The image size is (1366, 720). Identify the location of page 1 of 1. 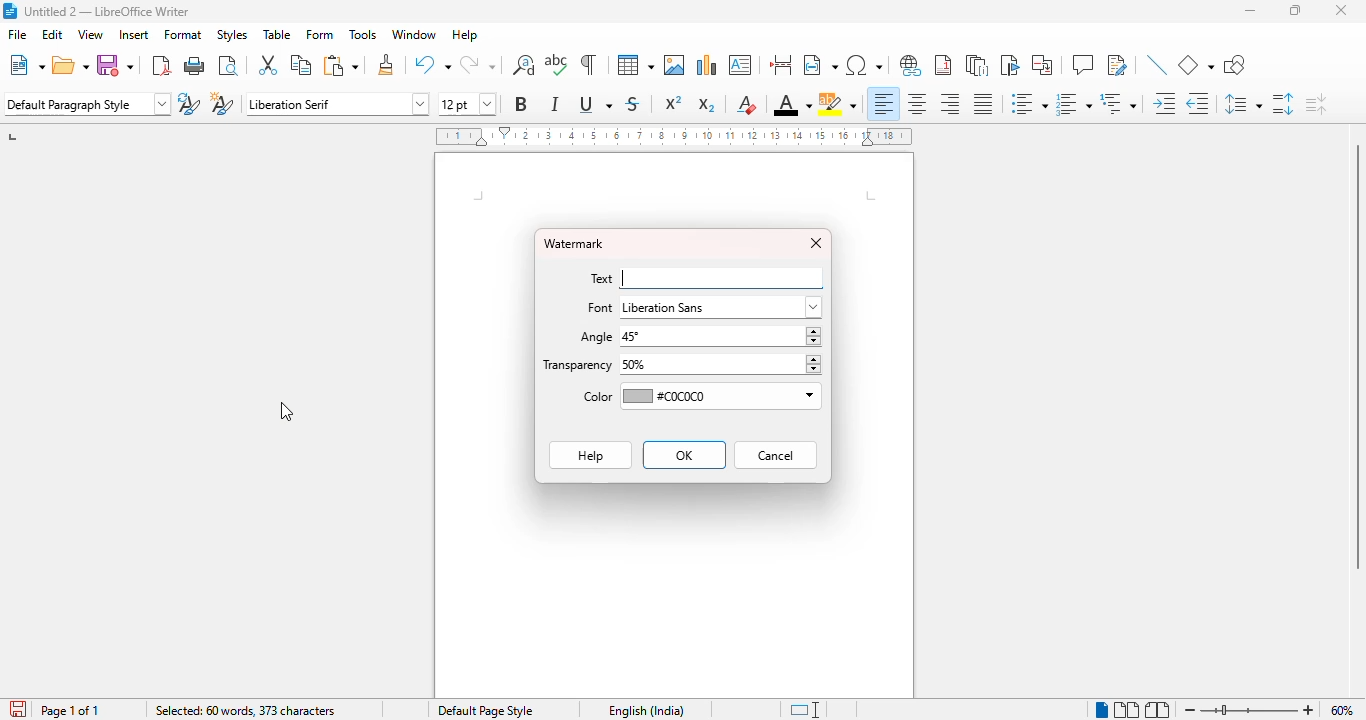
(71, 710).